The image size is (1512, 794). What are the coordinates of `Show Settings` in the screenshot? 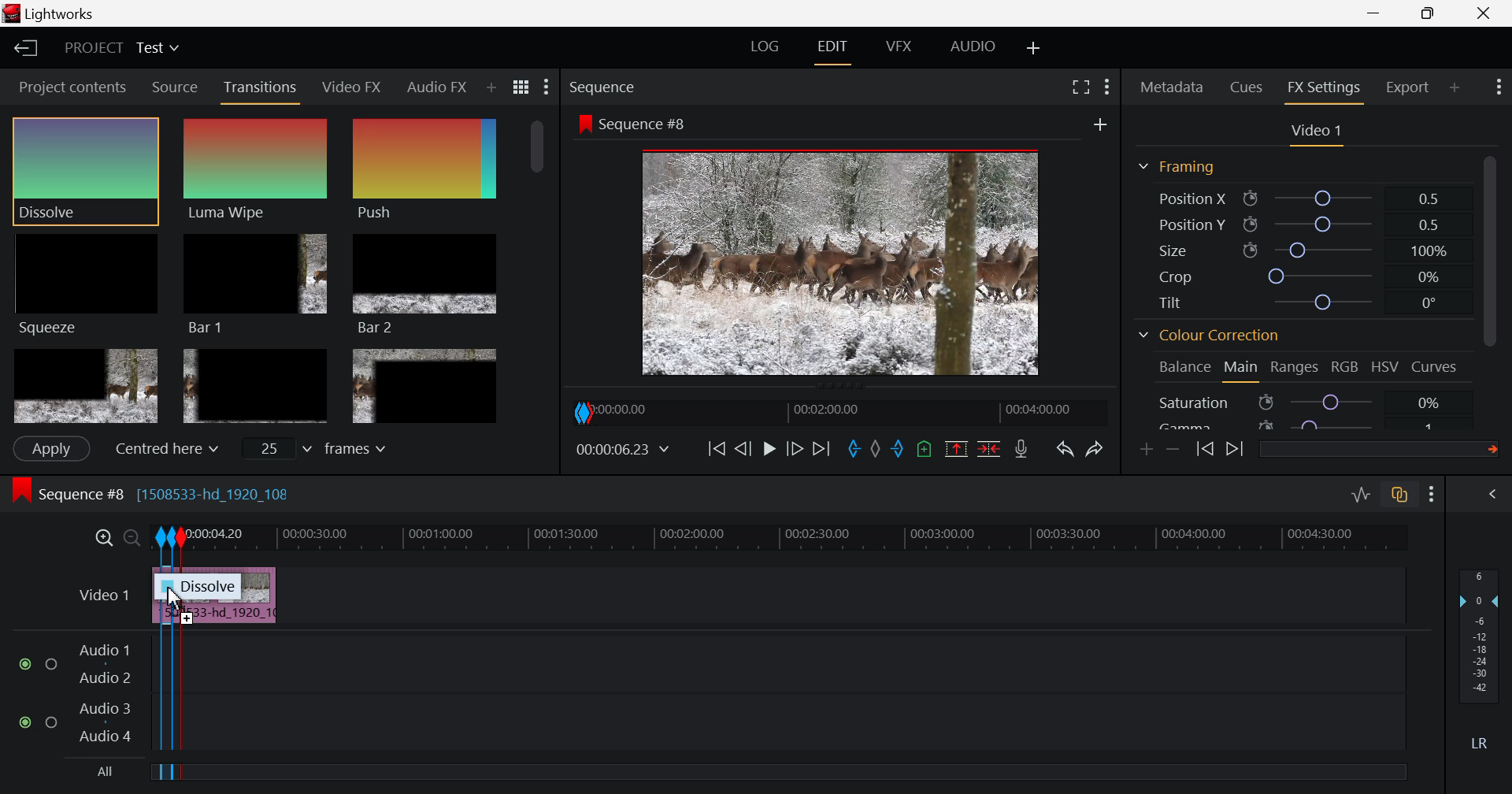 It's located at (548, 87).